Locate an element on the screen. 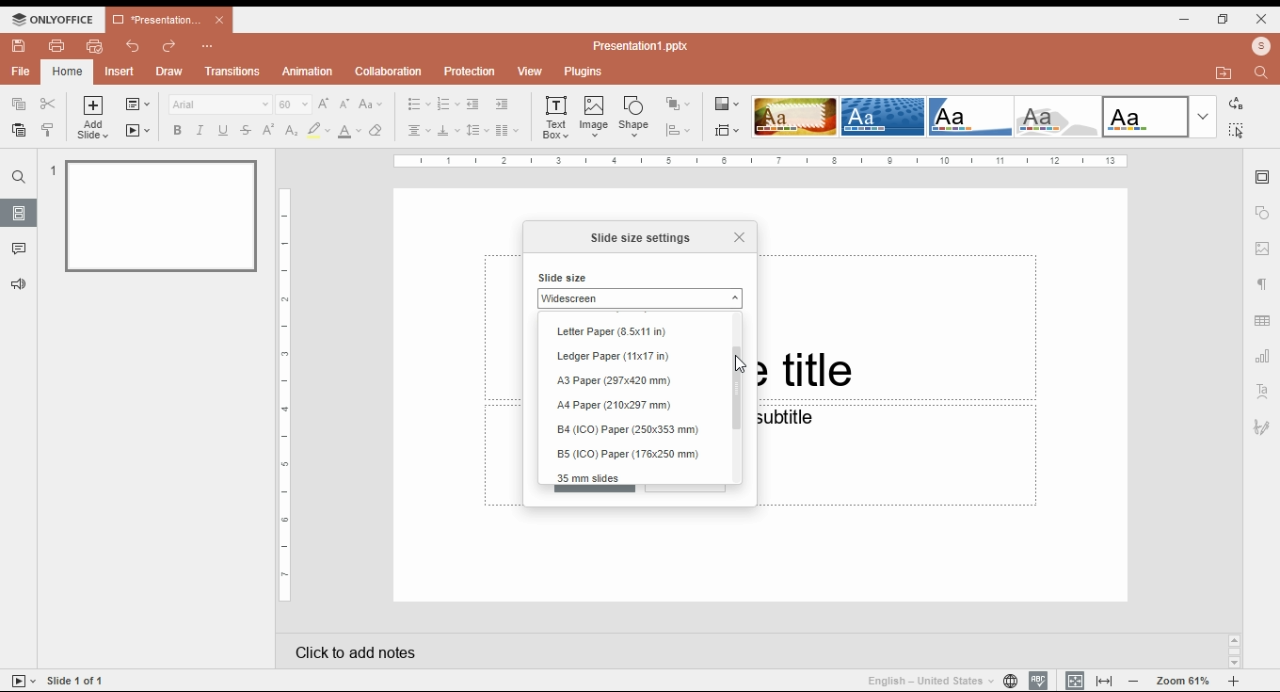 This screenshot has height=692, width=1280. A4 Paper (210x297 mm) is located at coordinates (618, 406).